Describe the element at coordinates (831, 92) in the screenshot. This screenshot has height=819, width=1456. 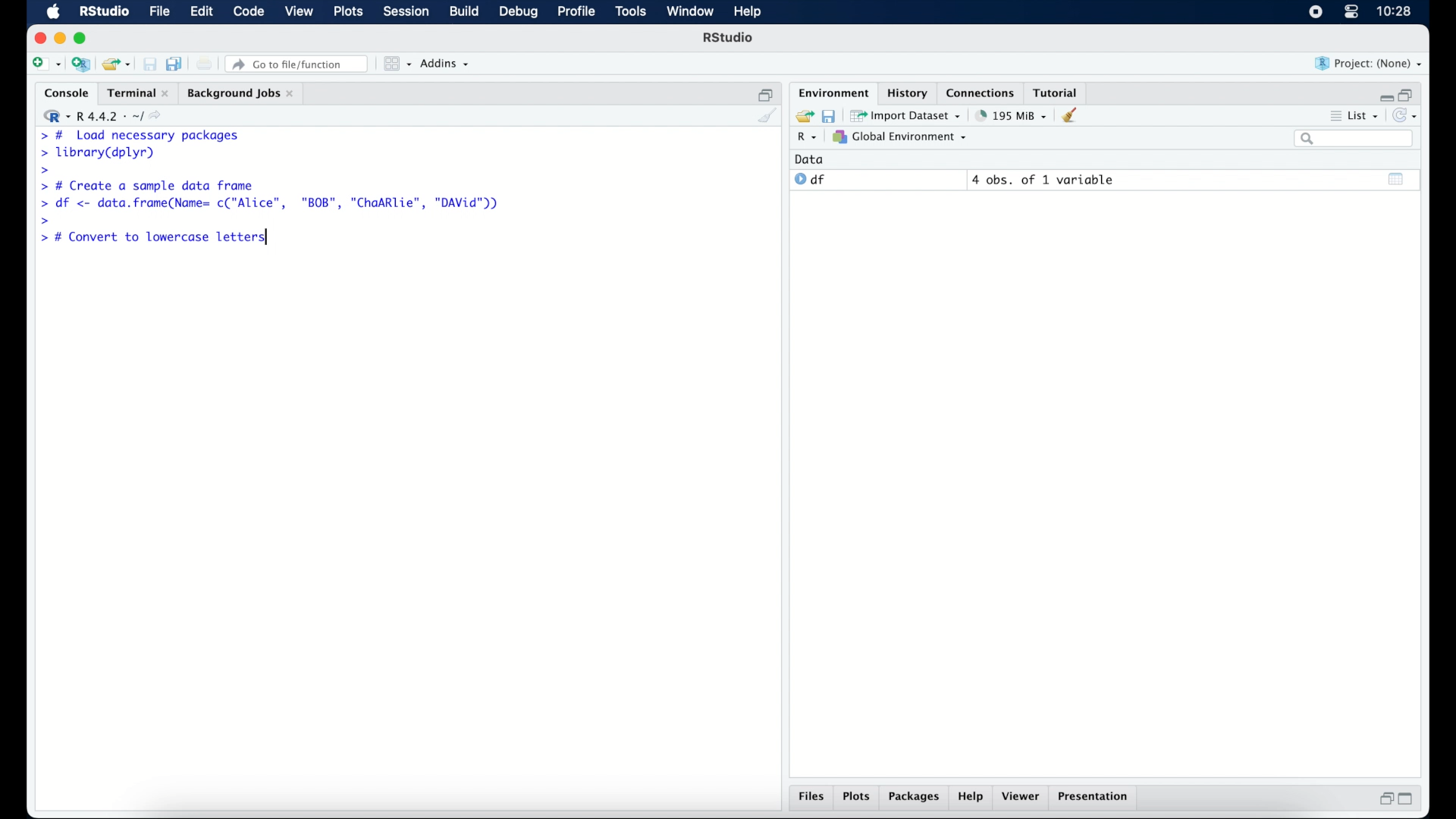
I see `environment` at that location.